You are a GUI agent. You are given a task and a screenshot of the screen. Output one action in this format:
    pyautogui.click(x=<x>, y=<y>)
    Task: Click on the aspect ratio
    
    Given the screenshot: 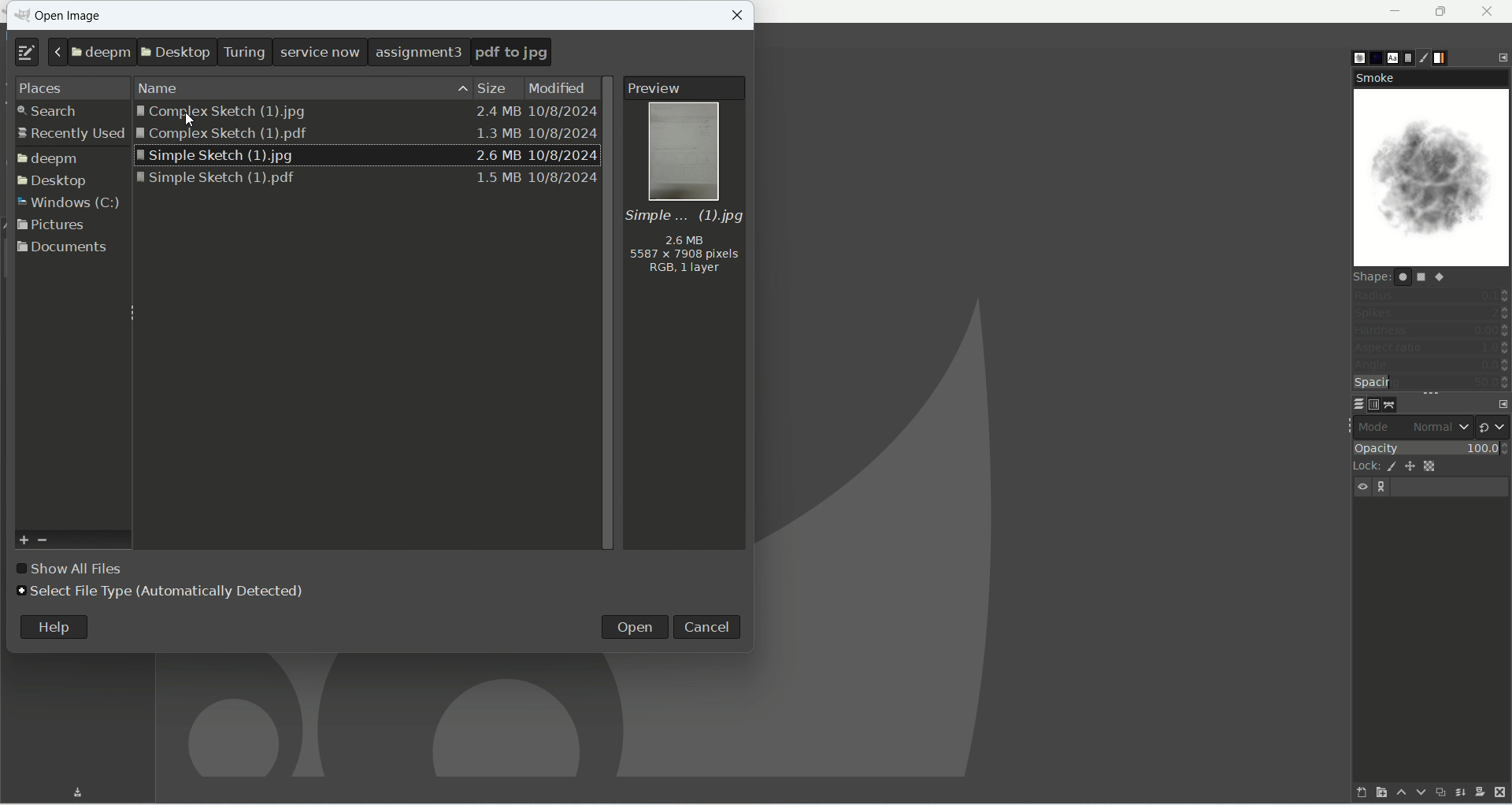 What is the action you would take?
    pyautogui.click(x=1432, y=347)
    